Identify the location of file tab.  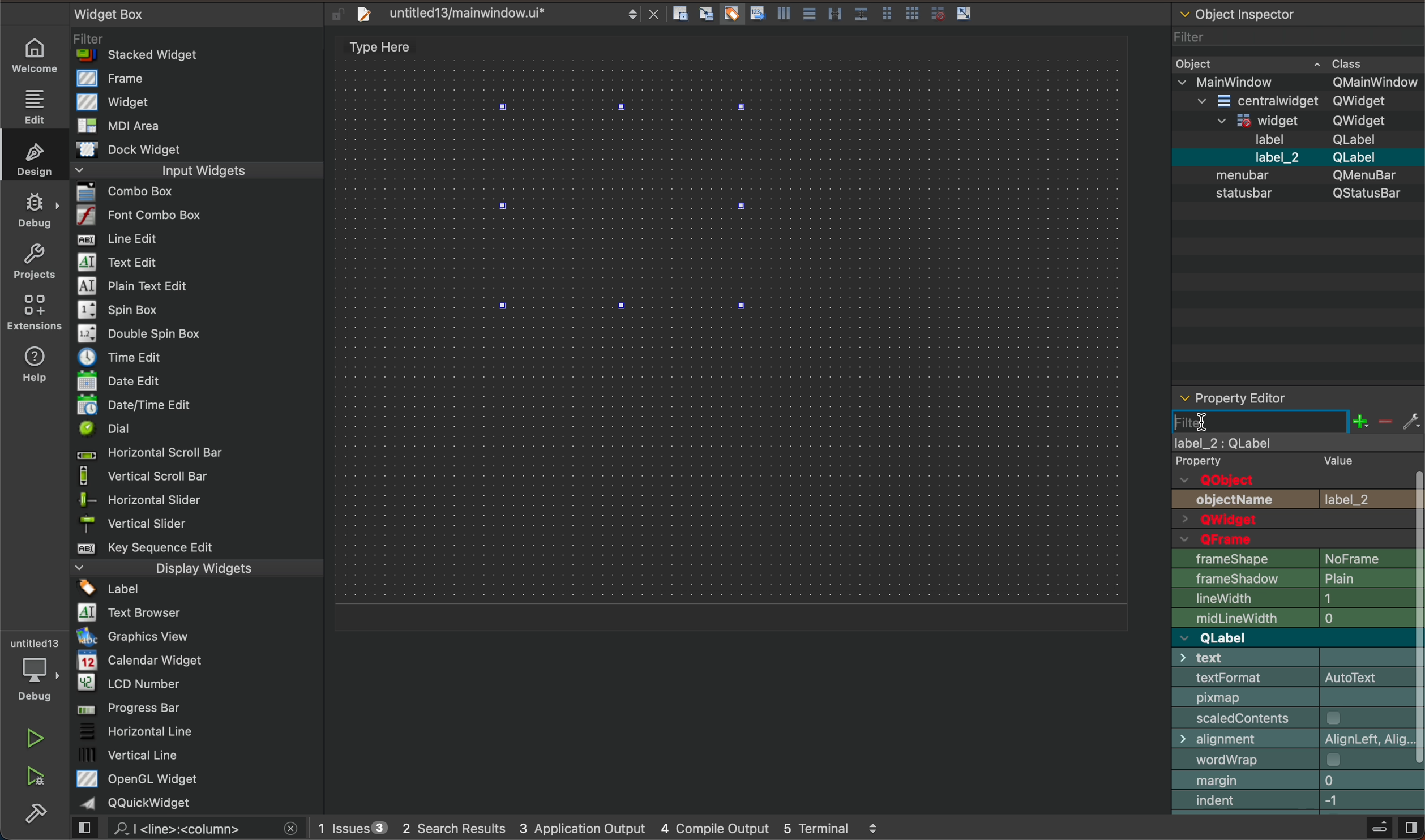
(503, 16).